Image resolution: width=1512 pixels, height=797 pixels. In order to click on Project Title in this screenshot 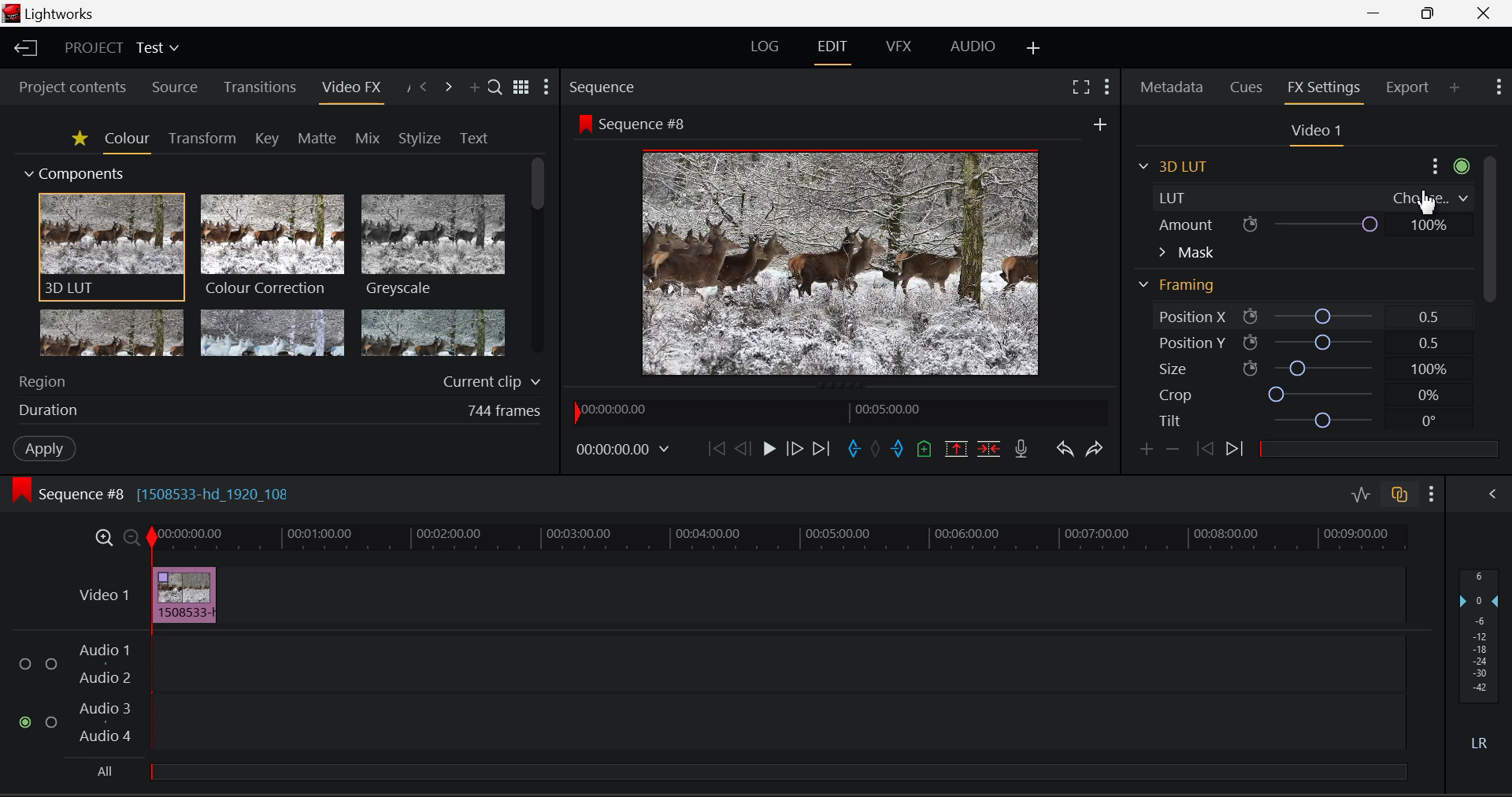, I will do `click(123, 46)`.